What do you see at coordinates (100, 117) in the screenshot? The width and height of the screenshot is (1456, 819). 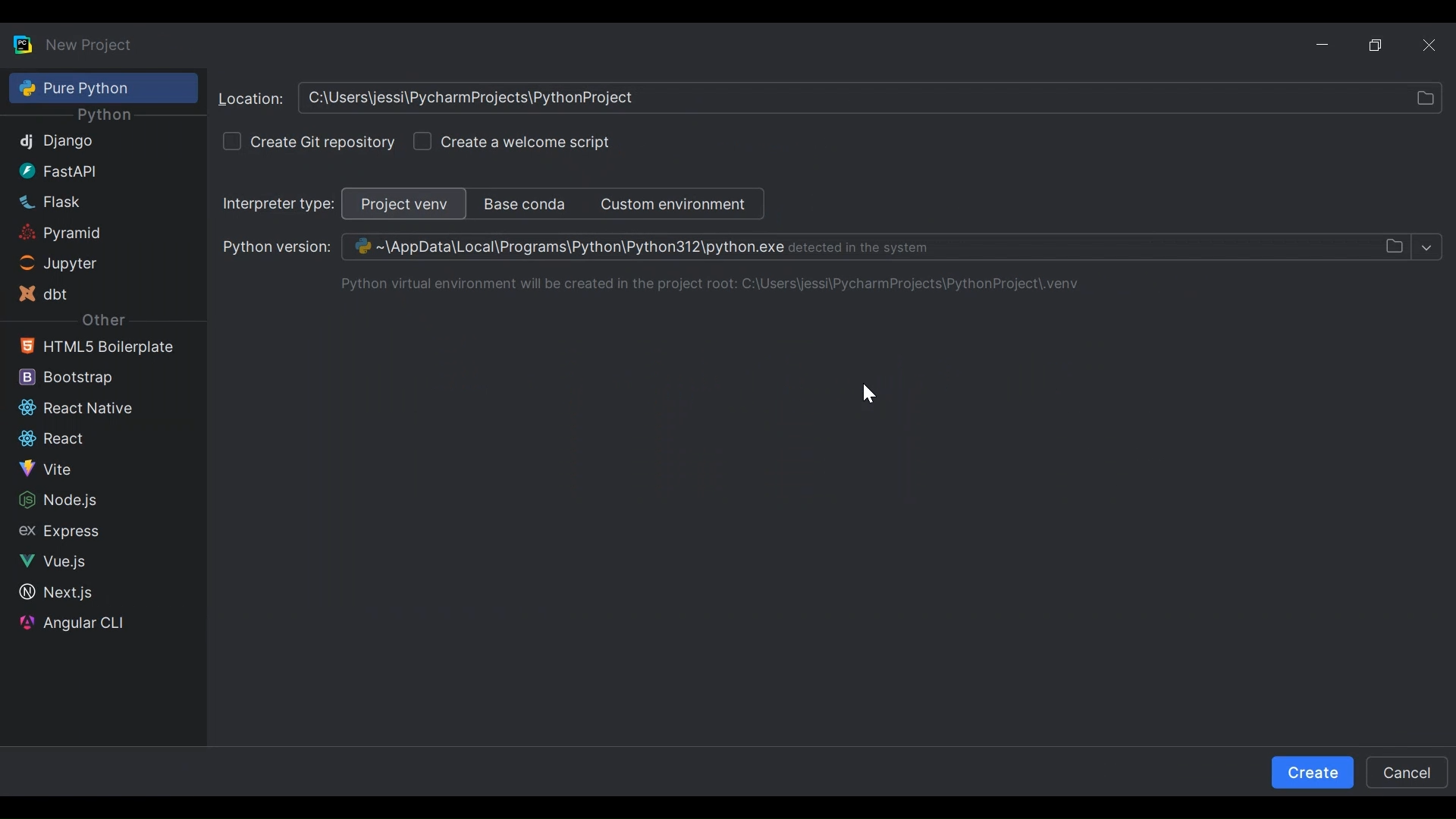 I see `Python` at bounding box center [100, 117].